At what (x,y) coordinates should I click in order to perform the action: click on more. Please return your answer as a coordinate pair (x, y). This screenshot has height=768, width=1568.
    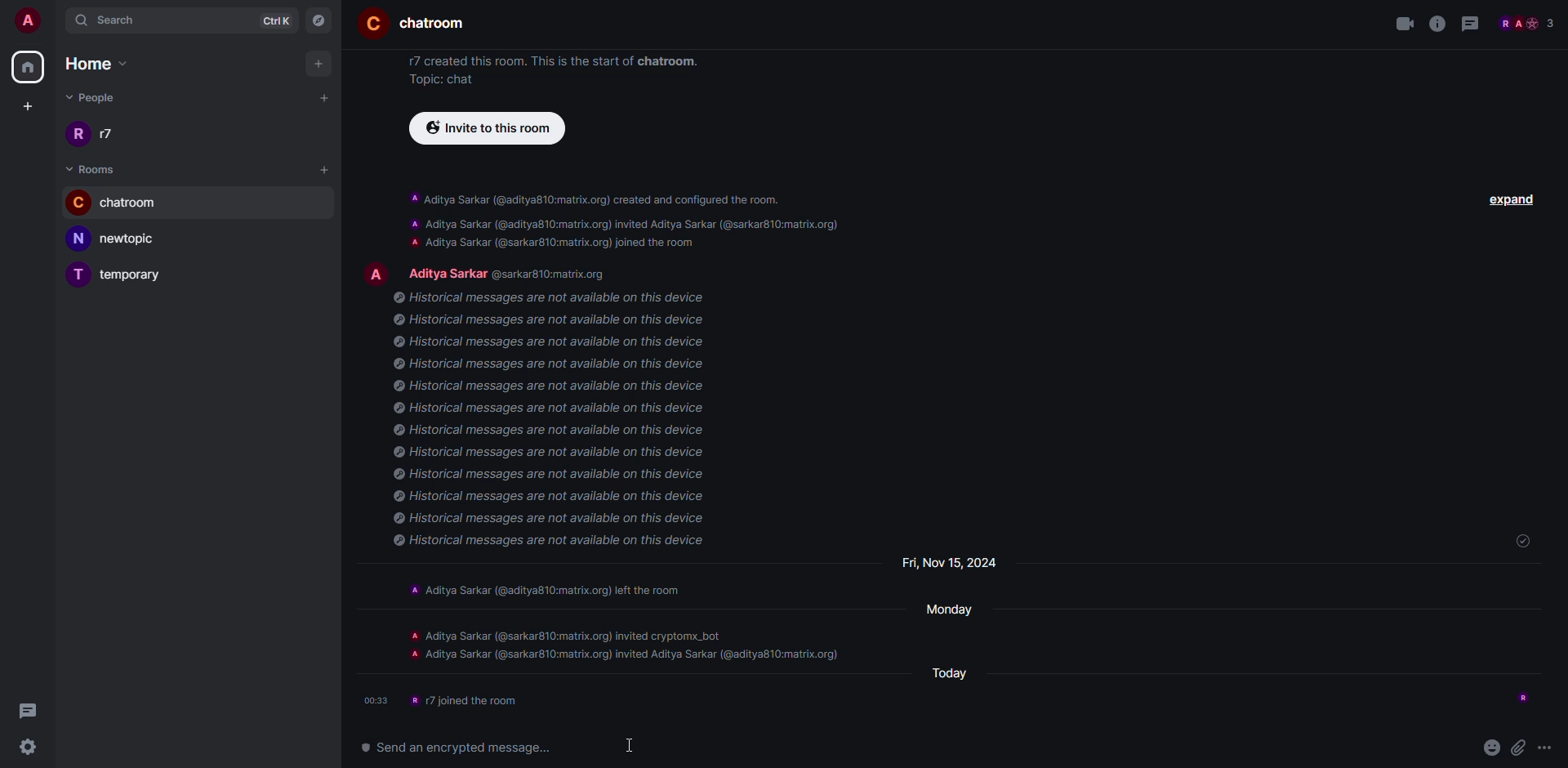
    Looking at the image, I should click on (1552, 744).